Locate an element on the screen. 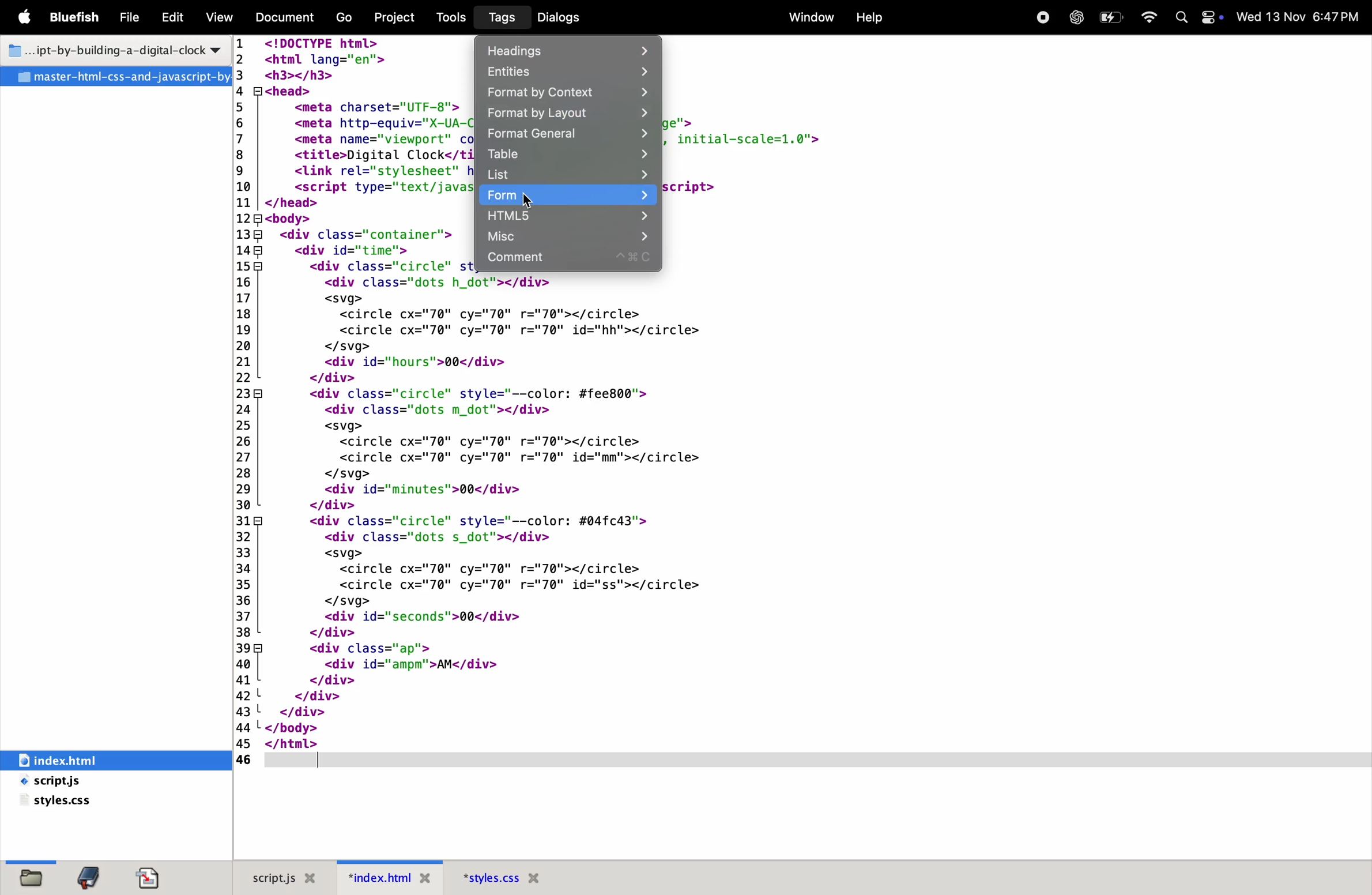 The image size is (1372, 895). HTML5 is located at coordinates (568, 216).